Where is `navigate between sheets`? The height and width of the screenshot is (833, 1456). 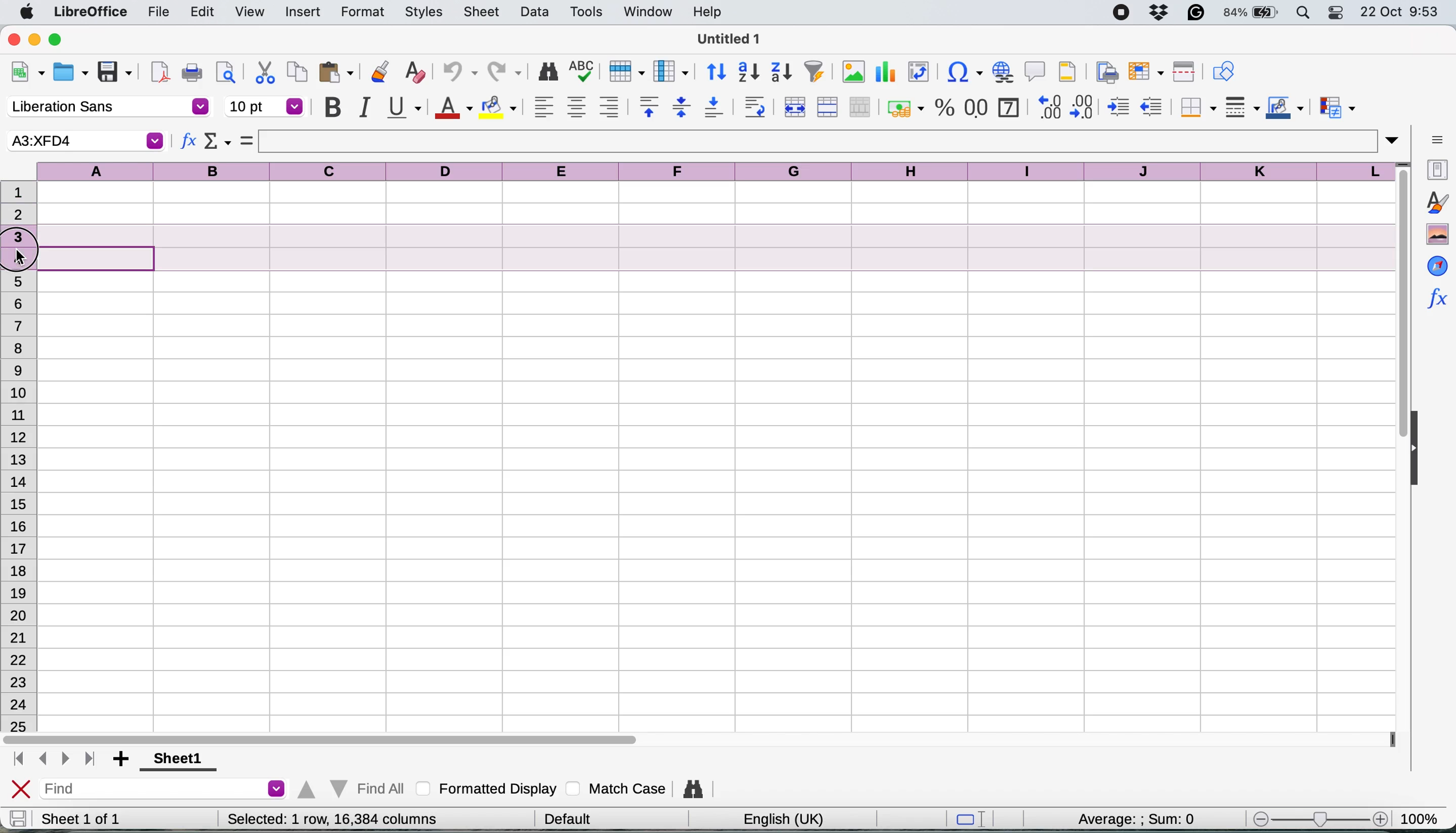
navigate between sheets is located at coordinates (53, 760).